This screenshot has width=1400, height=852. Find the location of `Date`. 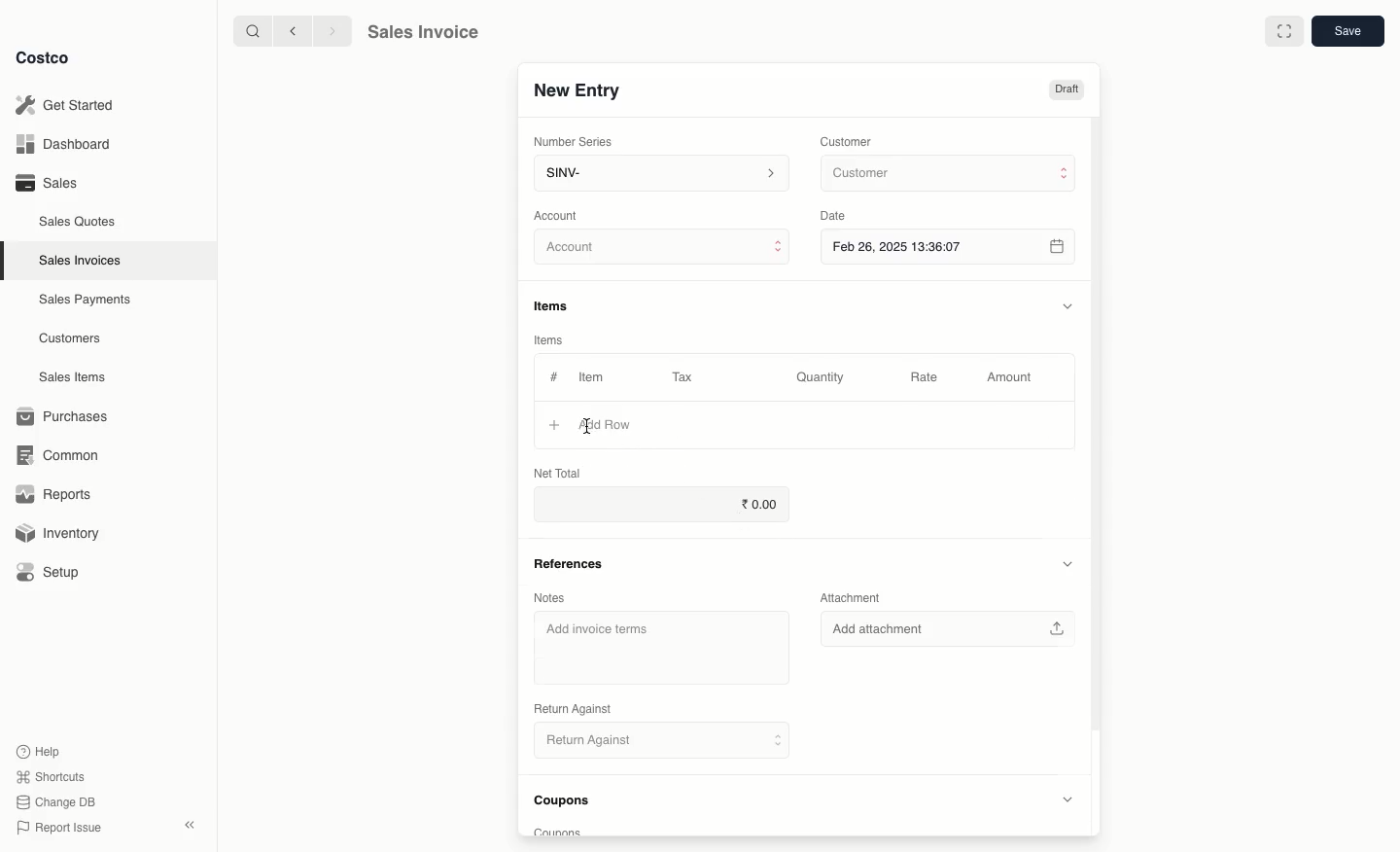

Date is located at coordinates (838, 216).